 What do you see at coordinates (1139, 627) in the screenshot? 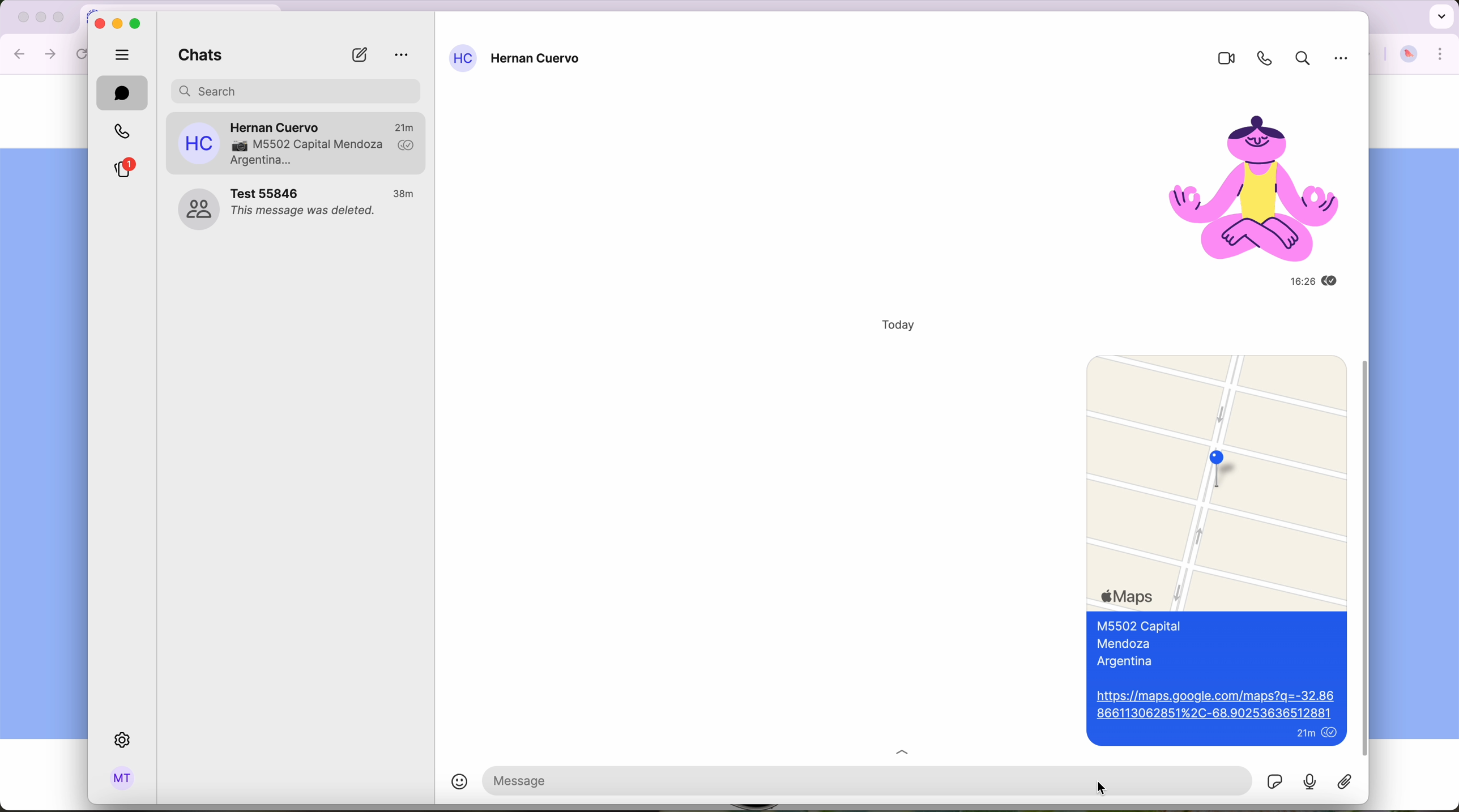
I see `M5502 Capital` at bounding box center [1139, 627].